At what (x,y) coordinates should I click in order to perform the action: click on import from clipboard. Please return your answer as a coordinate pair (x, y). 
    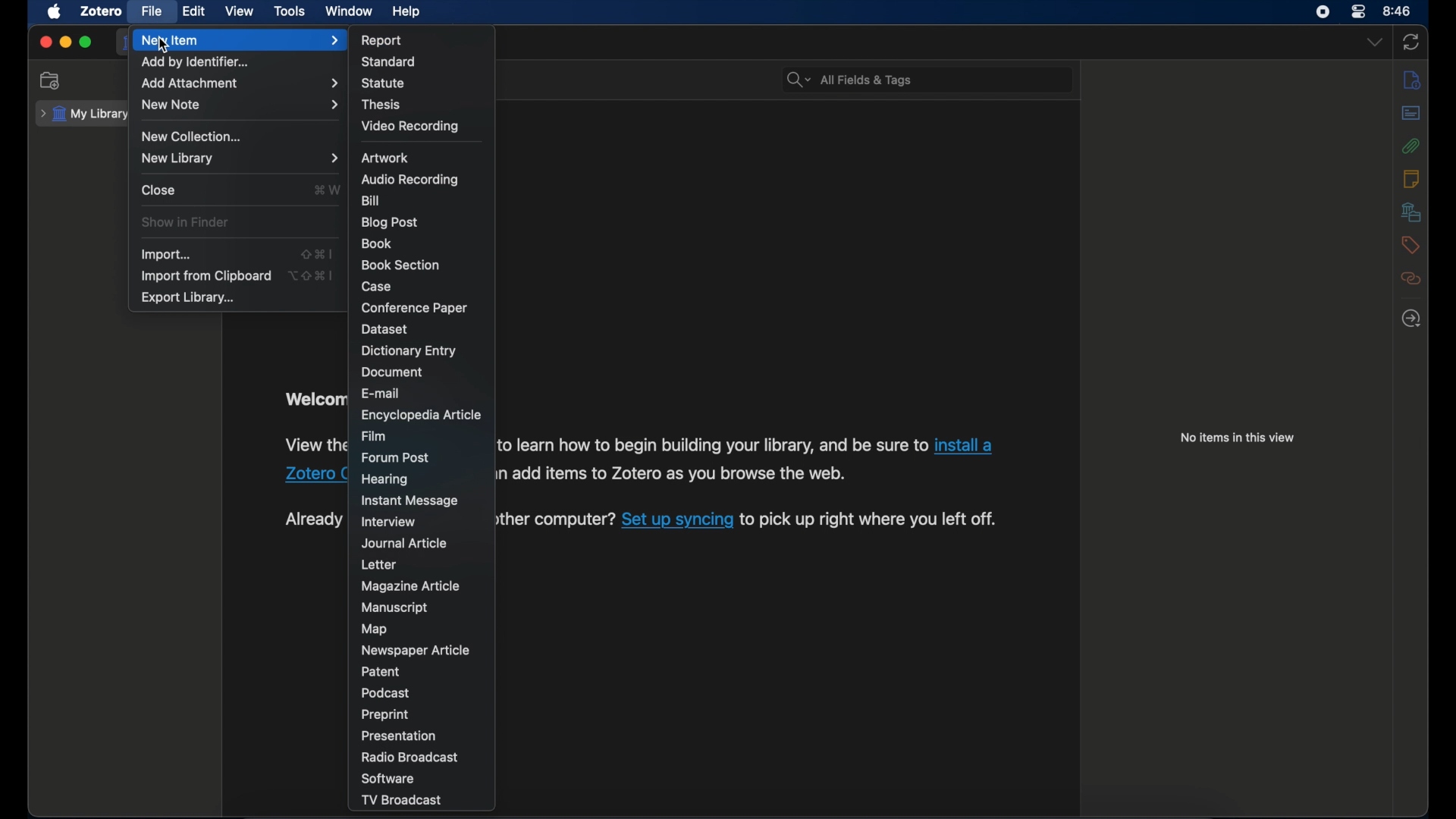
    Looking at the image, I should click on (205, 276).